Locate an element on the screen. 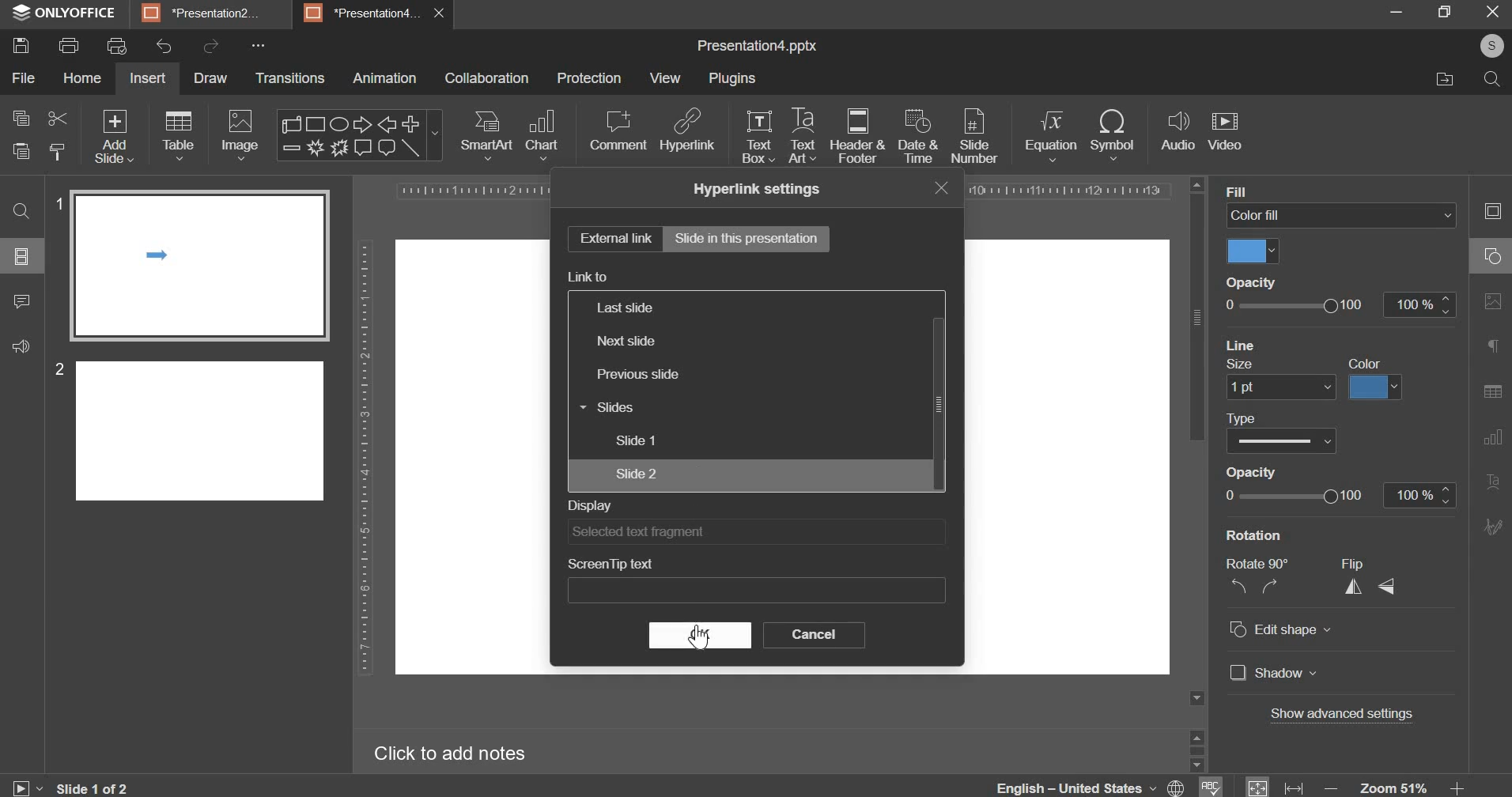 This screenshot has width=1512, height=797. color fill is located at coordinates (1249, 253).